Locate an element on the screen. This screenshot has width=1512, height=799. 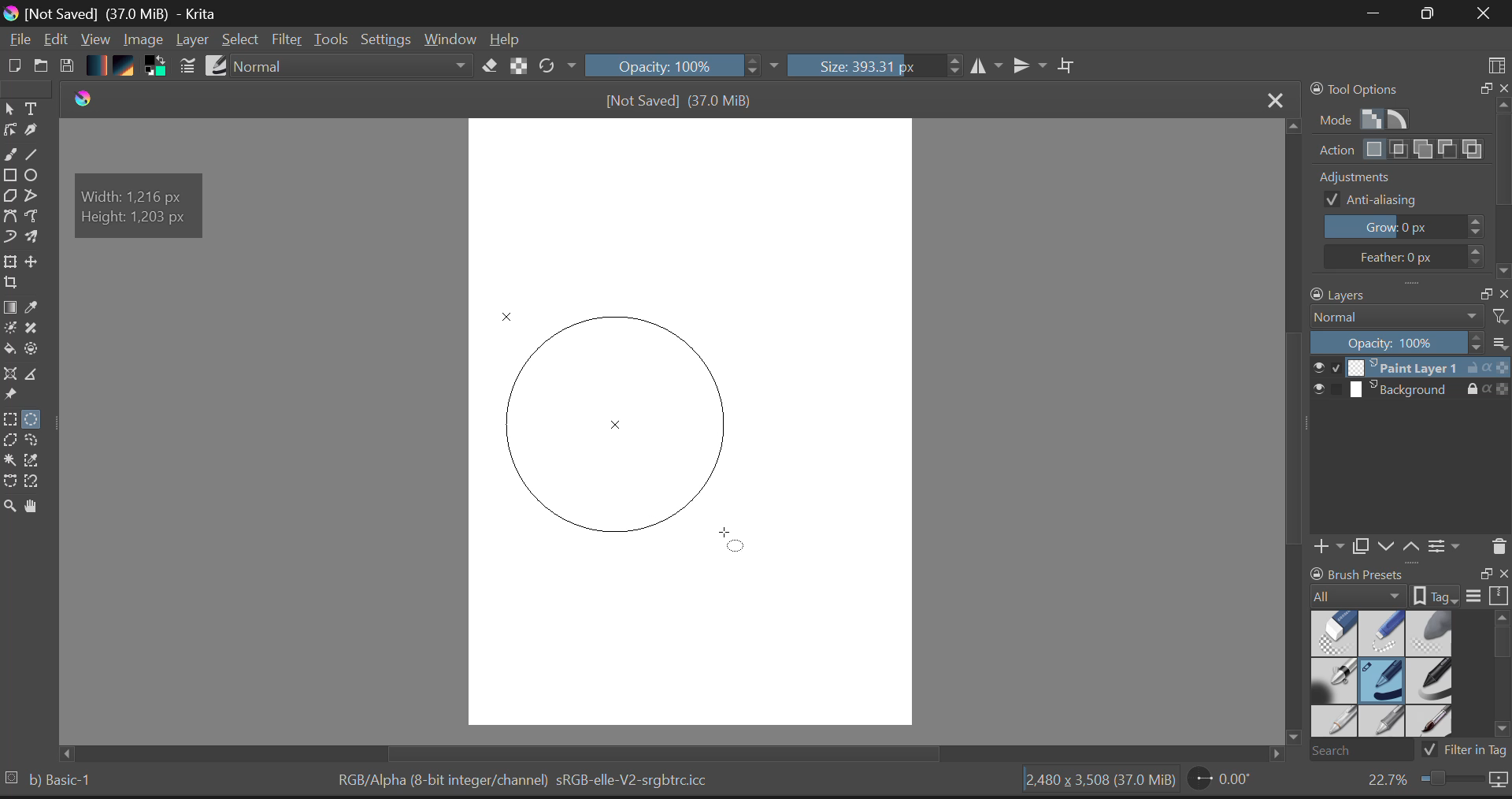
View is located at coordinates (96, 41).